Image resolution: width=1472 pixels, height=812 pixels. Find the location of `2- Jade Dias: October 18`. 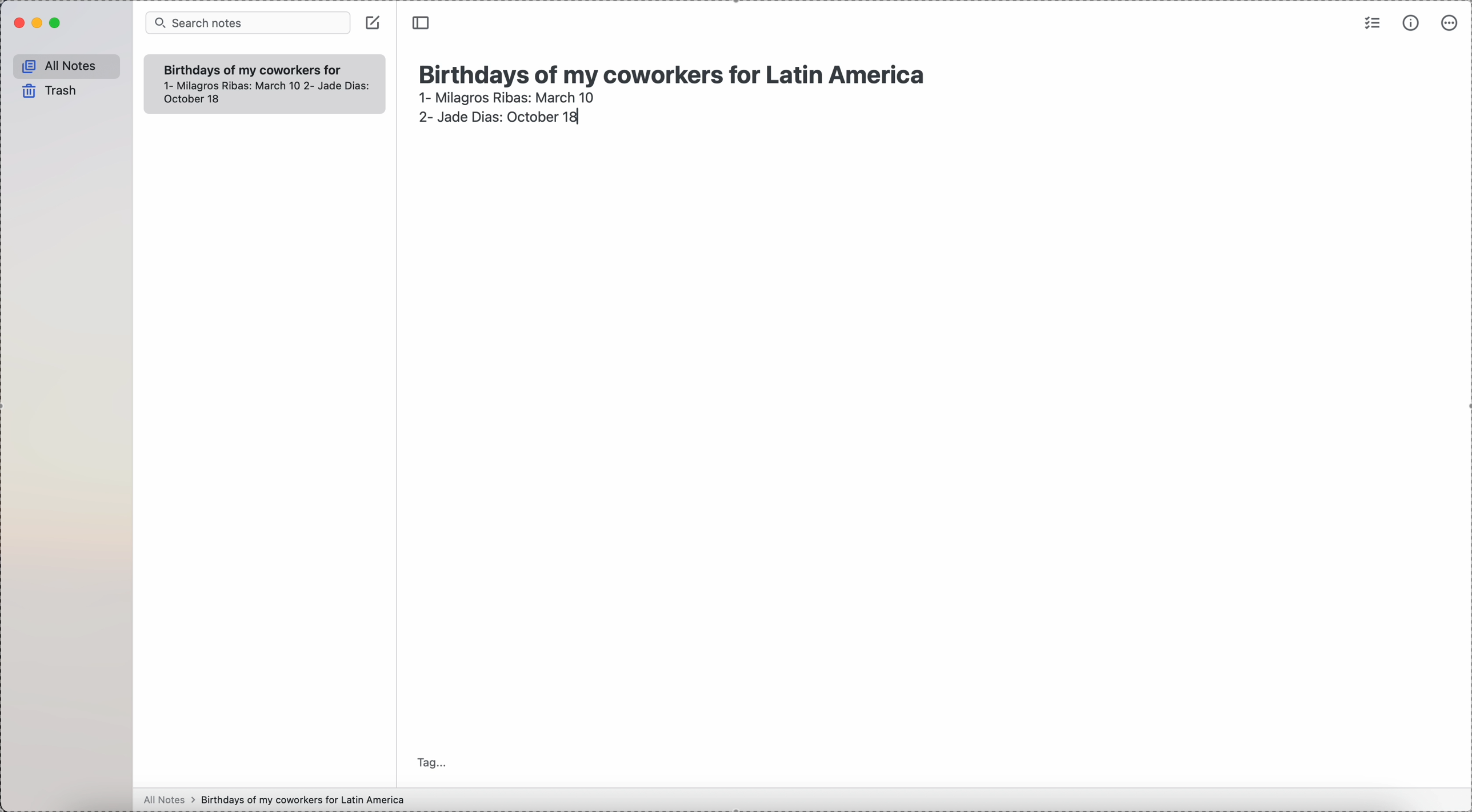

2- Jade Dias: October 18 is located at coordinates (497, 117).